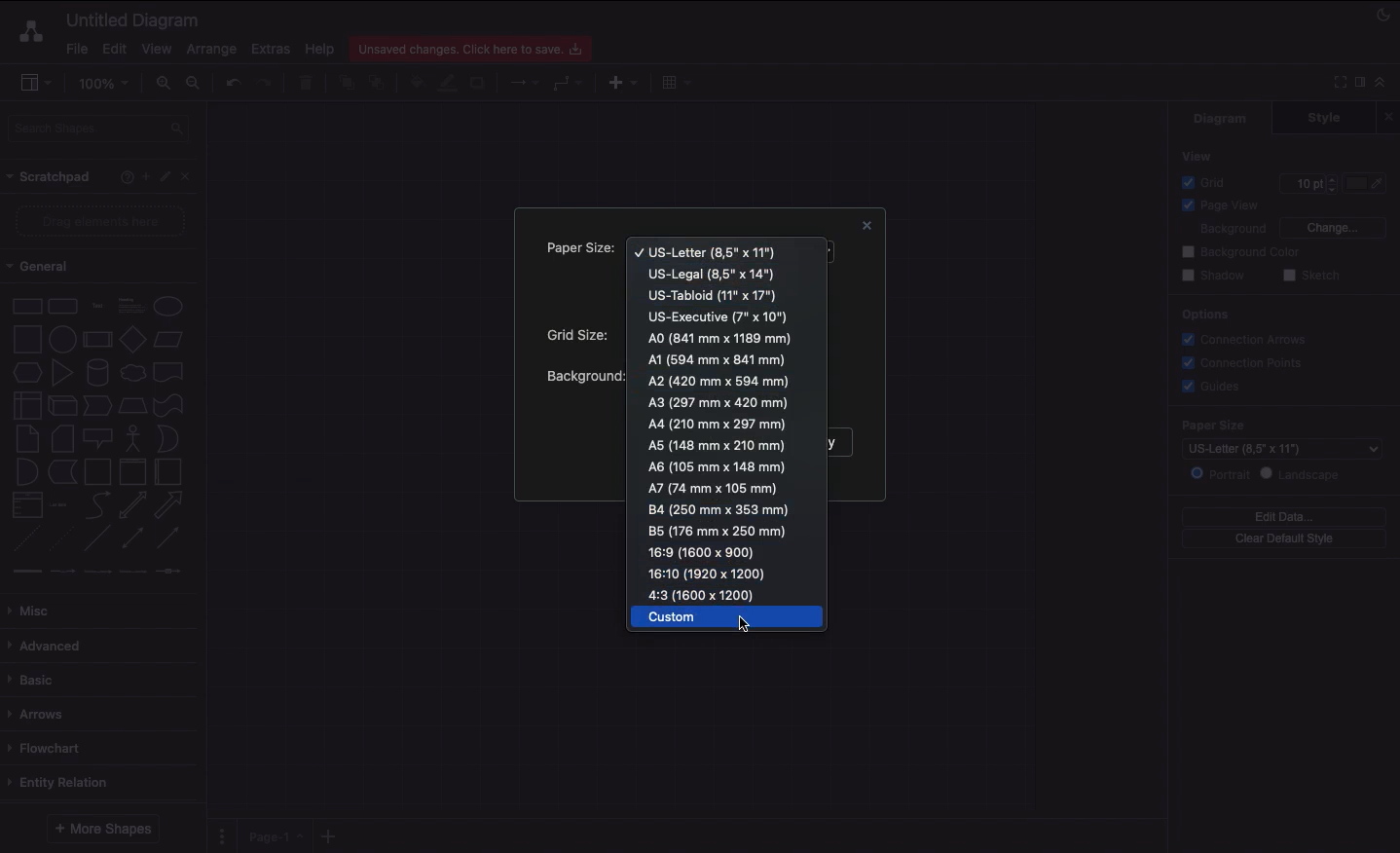 The width and height of the screenshot is (1400, 853). Describe the element at coordinates (25, 439) in the screenshot. I see `Note` at that location.